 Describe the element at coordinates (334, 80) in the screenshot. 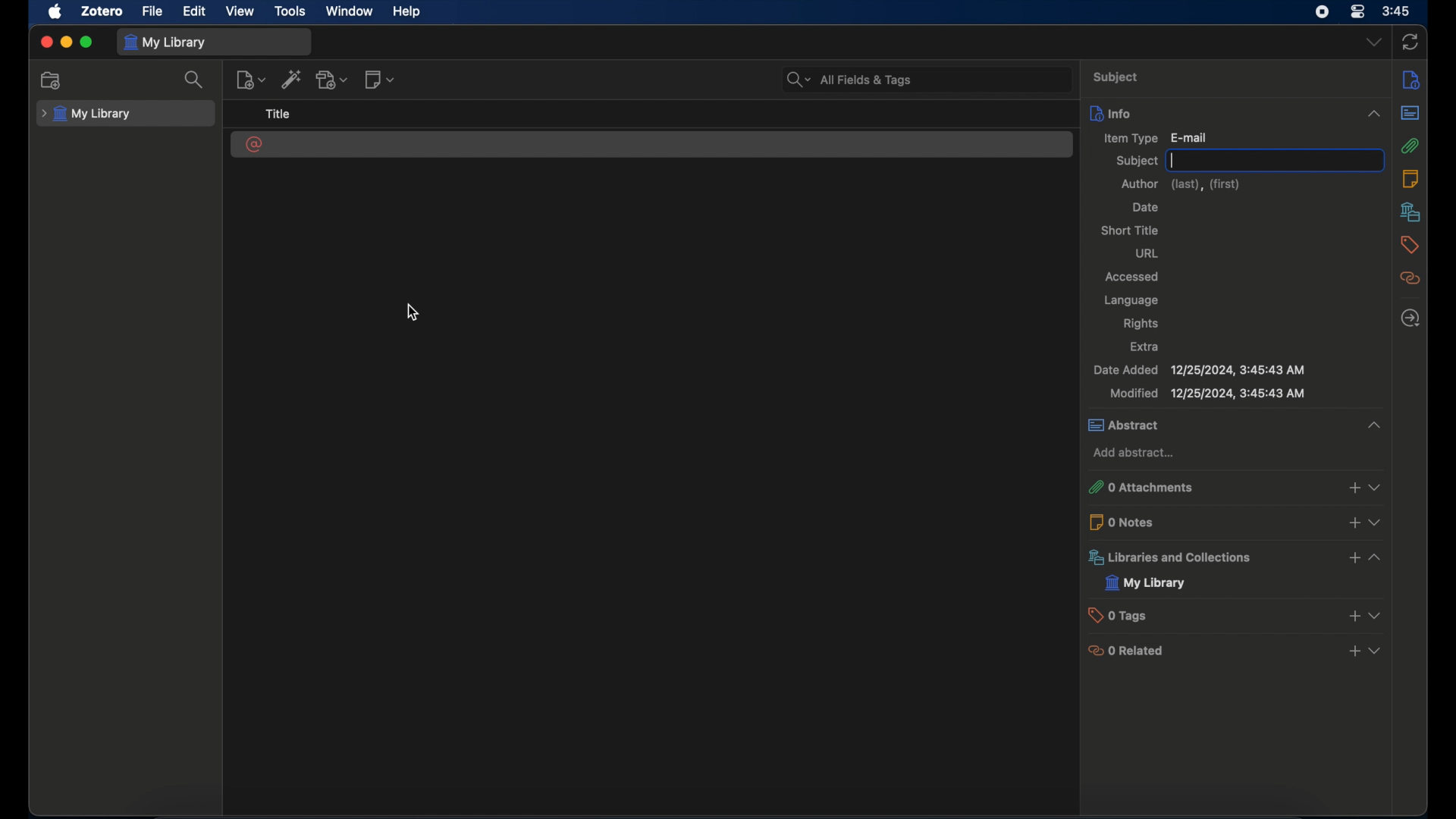

I see `add attachment` at that location.